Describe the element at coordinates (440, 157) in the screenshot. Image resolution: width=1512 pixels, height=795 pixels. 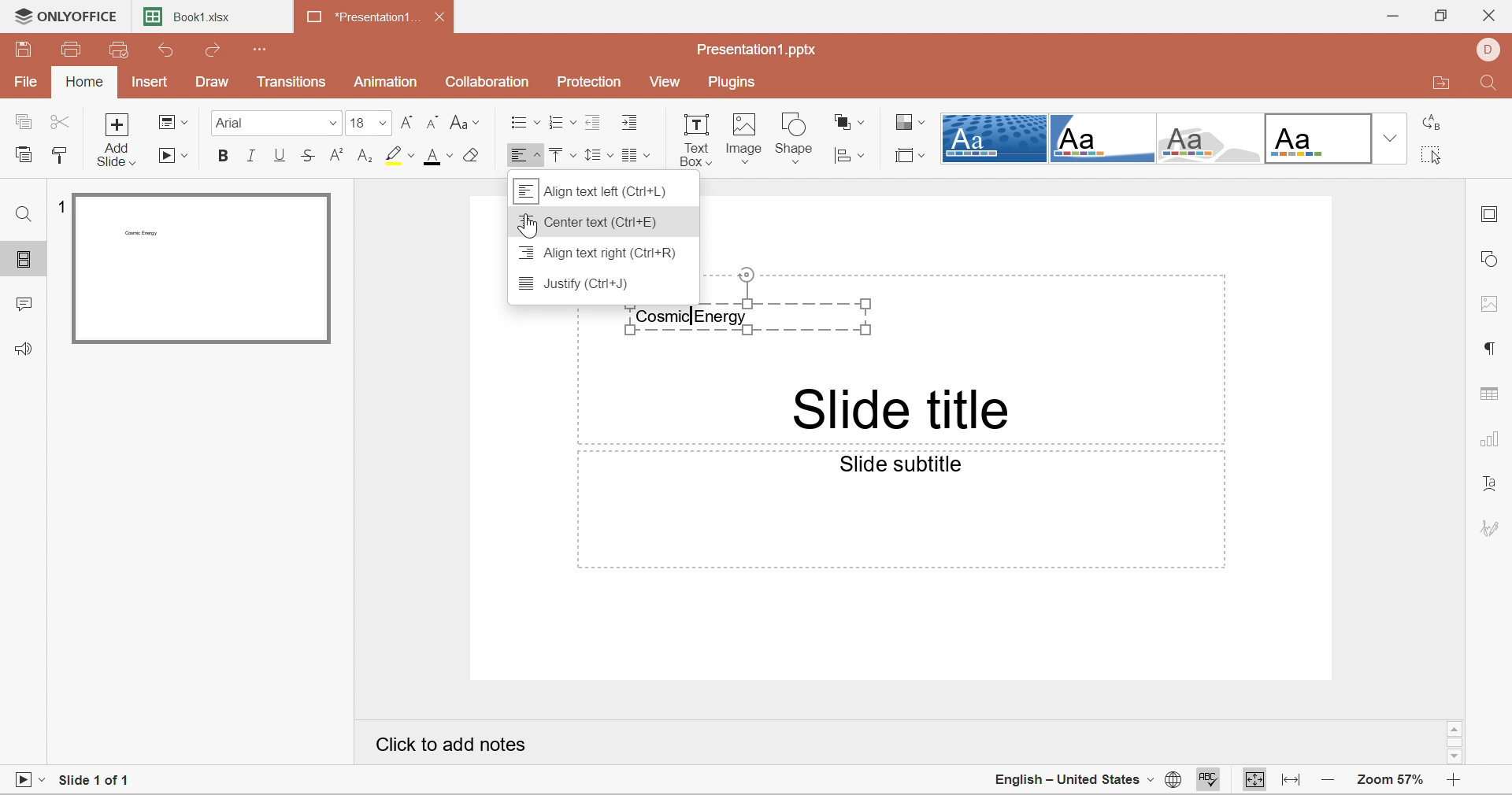
I see `Font color` at that location.